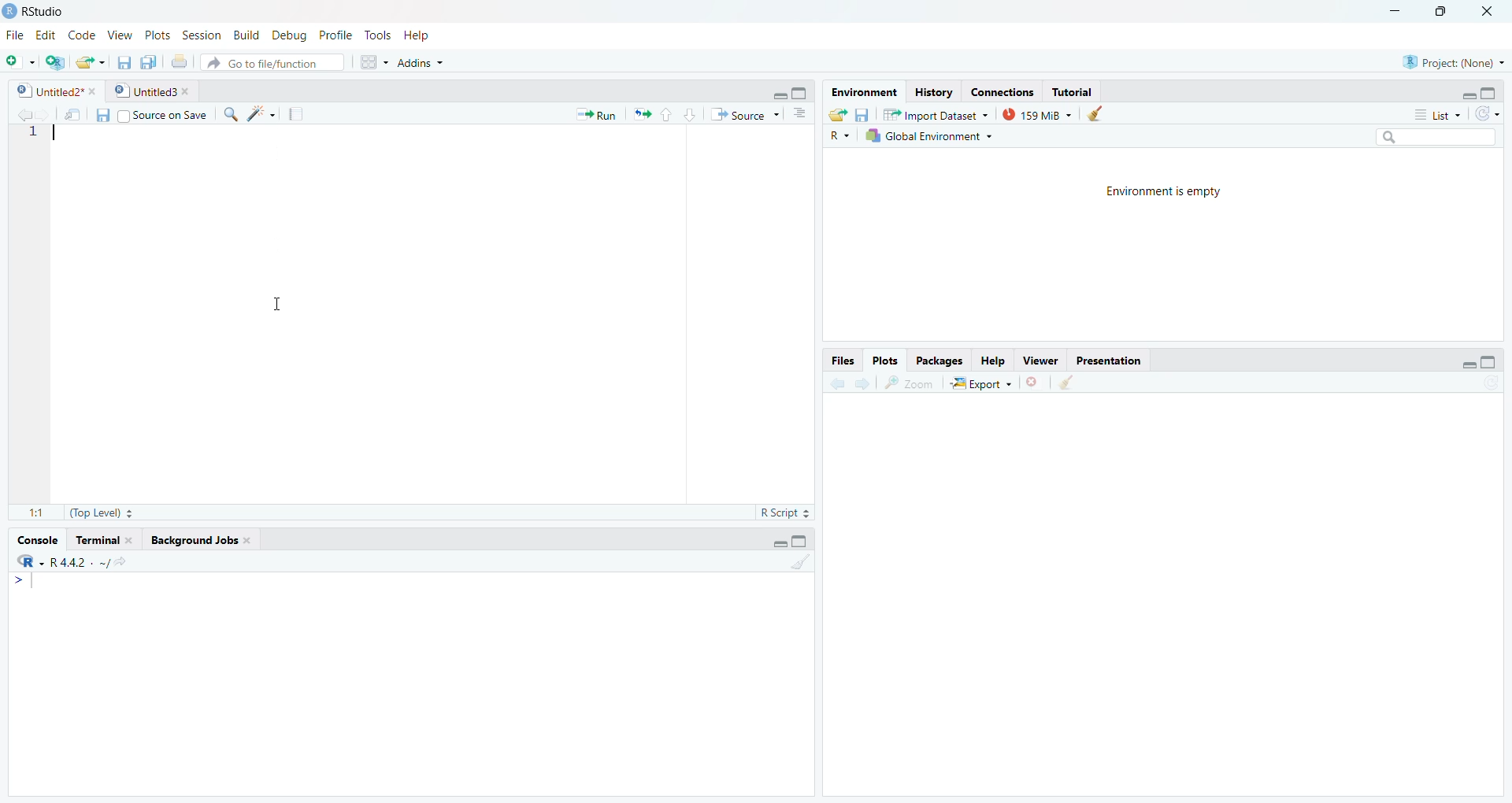  What do you see at coordinates (1488, 364) in the screenshot?
I see `Maximize` at bounding box center [1488, 364].